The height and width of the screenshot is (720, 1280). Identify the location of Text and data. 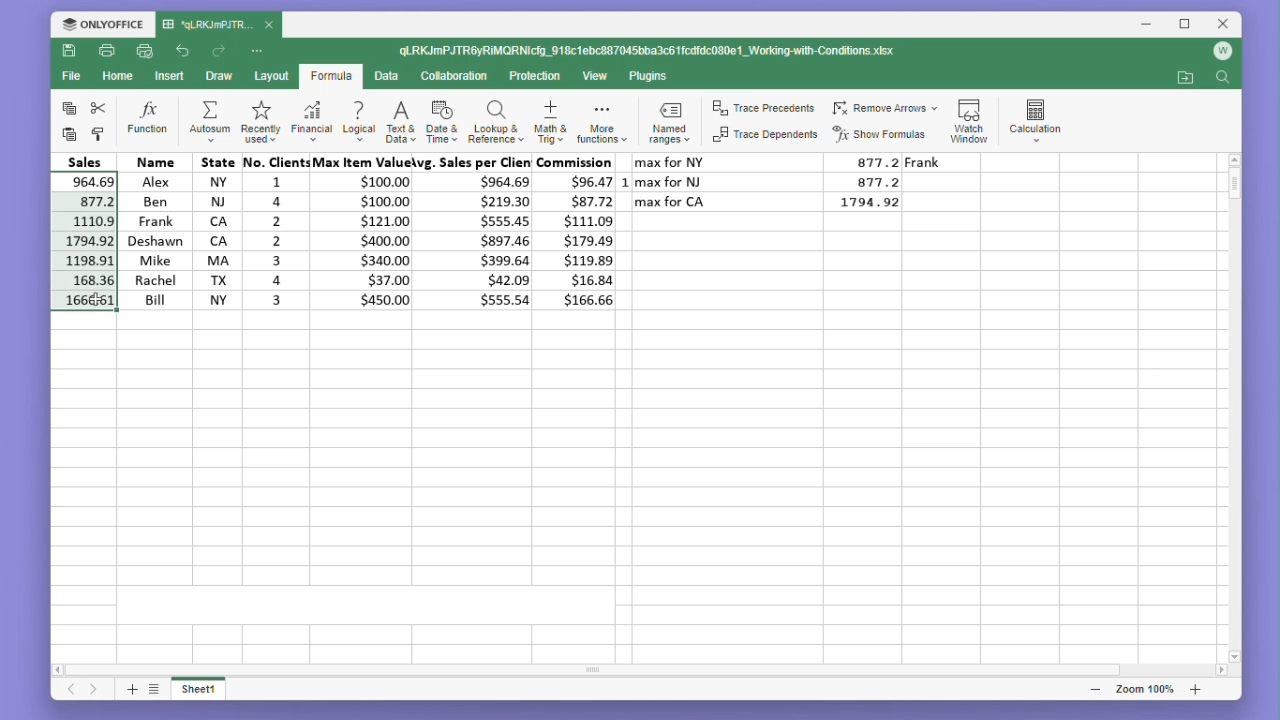
(399, 119).